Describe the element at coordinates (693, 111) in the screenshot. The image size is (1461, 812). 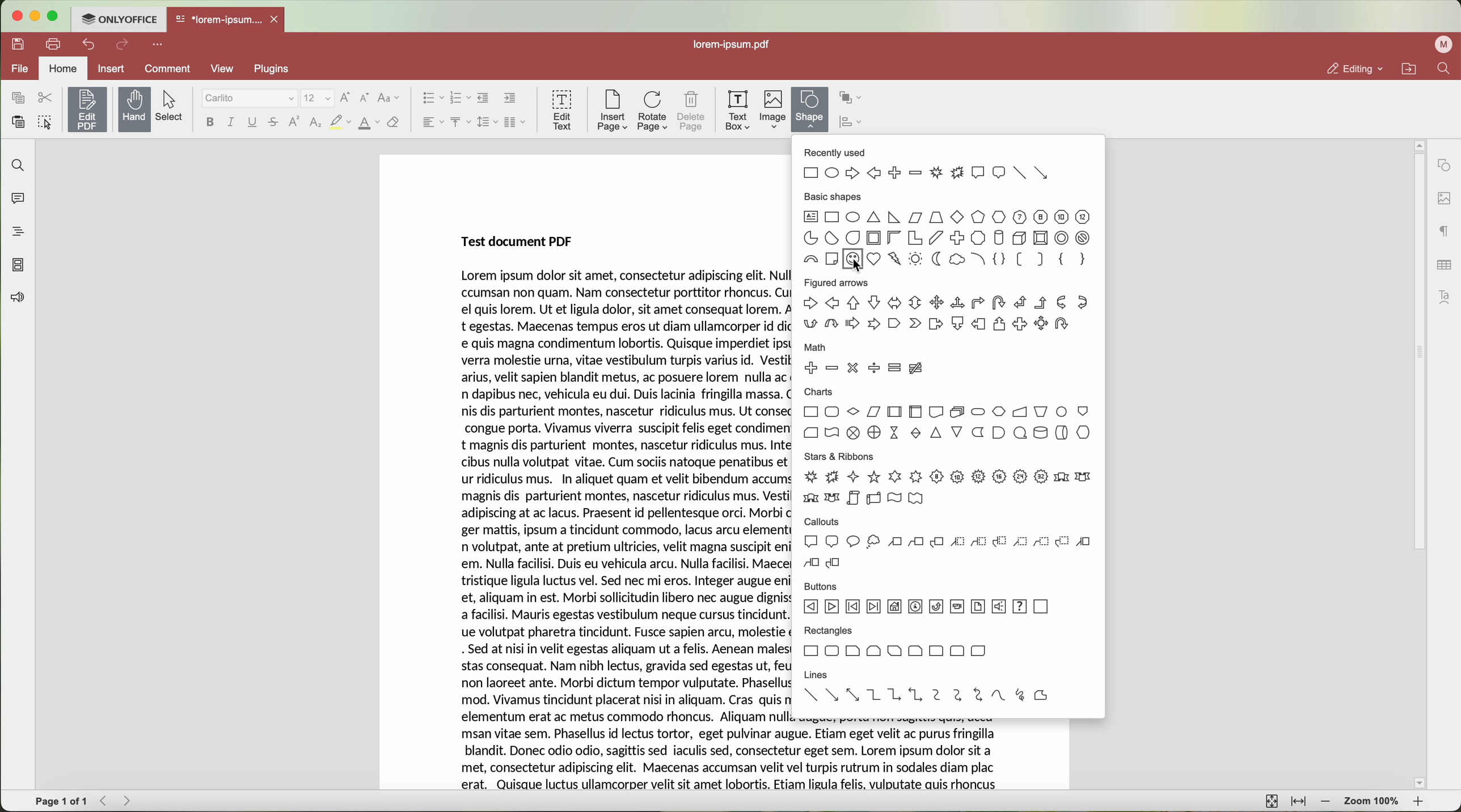
I see `delete page` at that location.